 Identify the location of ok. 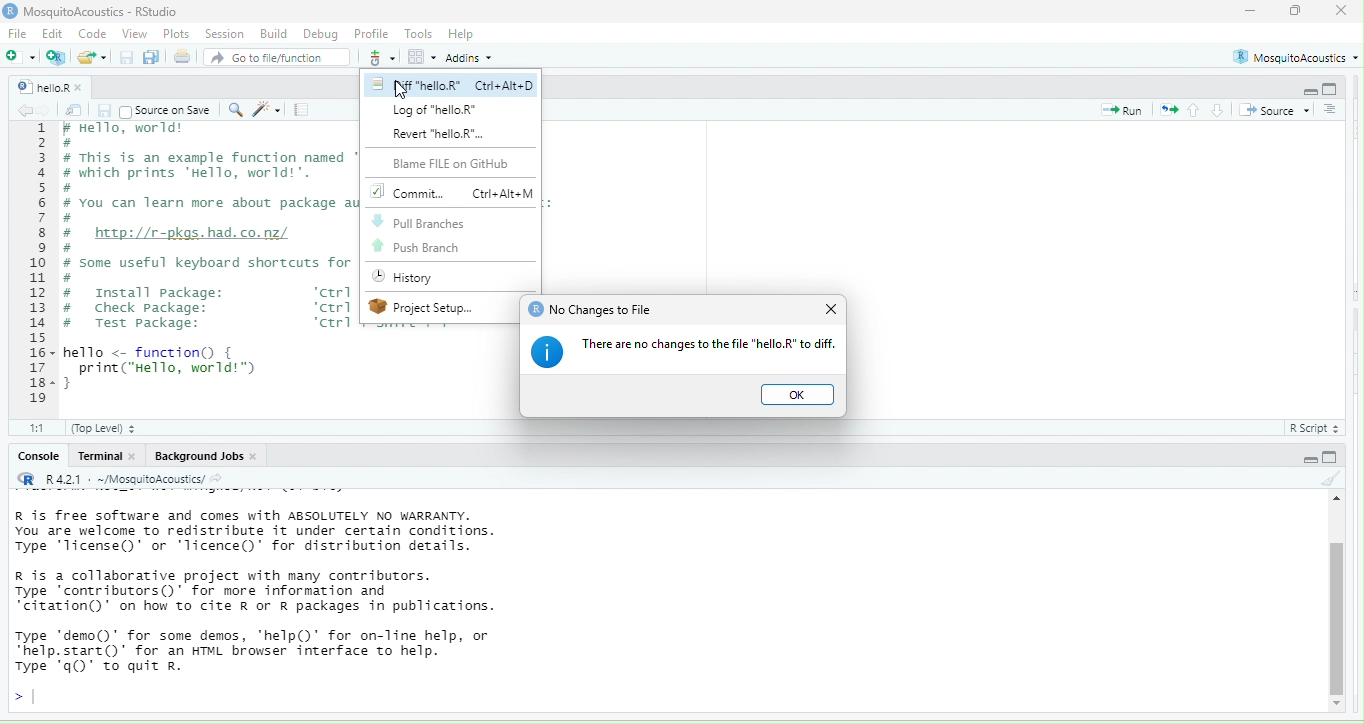
(801, 396).